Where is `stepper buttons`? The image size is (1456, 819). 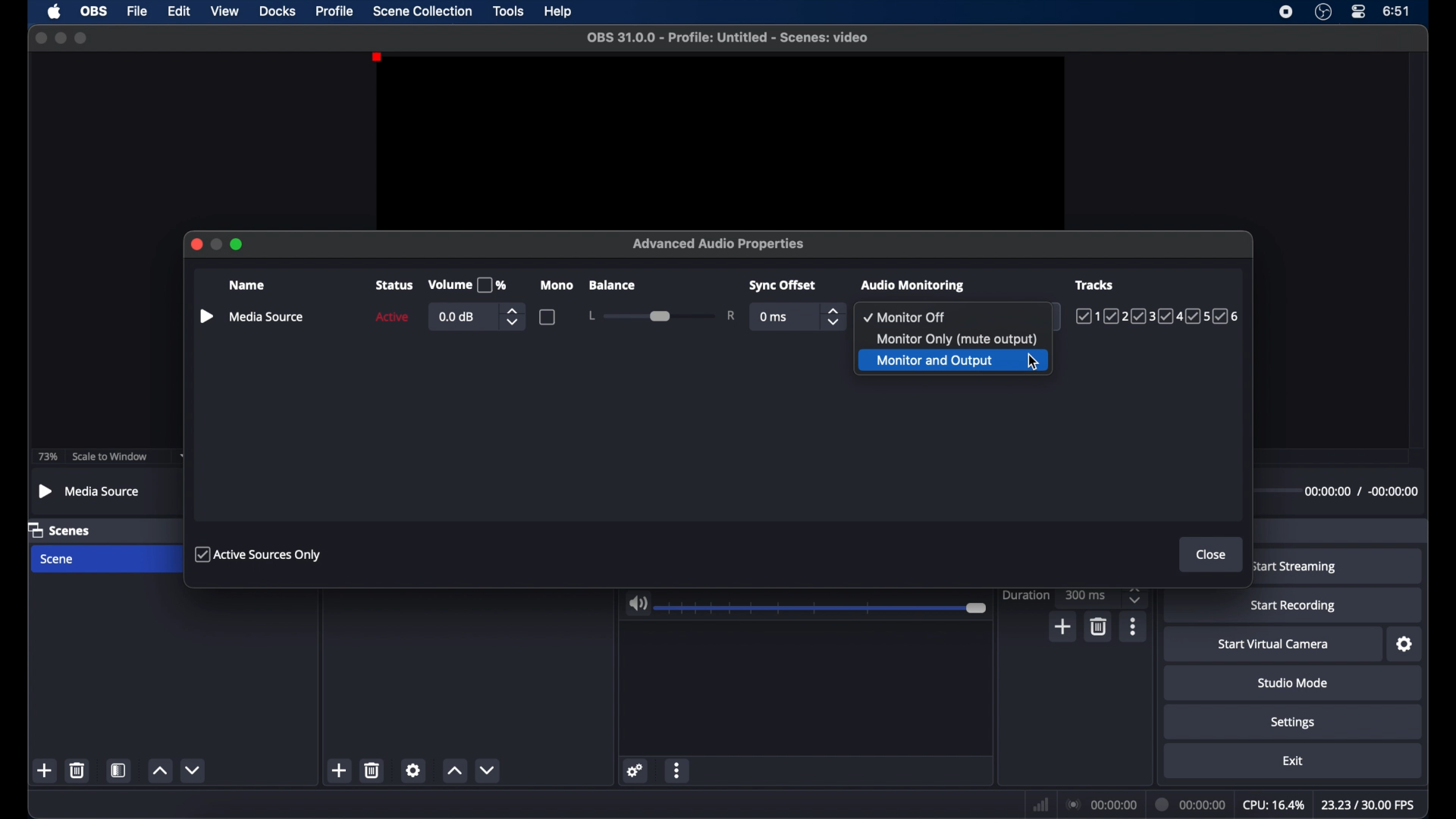 stepper buttons is located at coordinates (513, 317).